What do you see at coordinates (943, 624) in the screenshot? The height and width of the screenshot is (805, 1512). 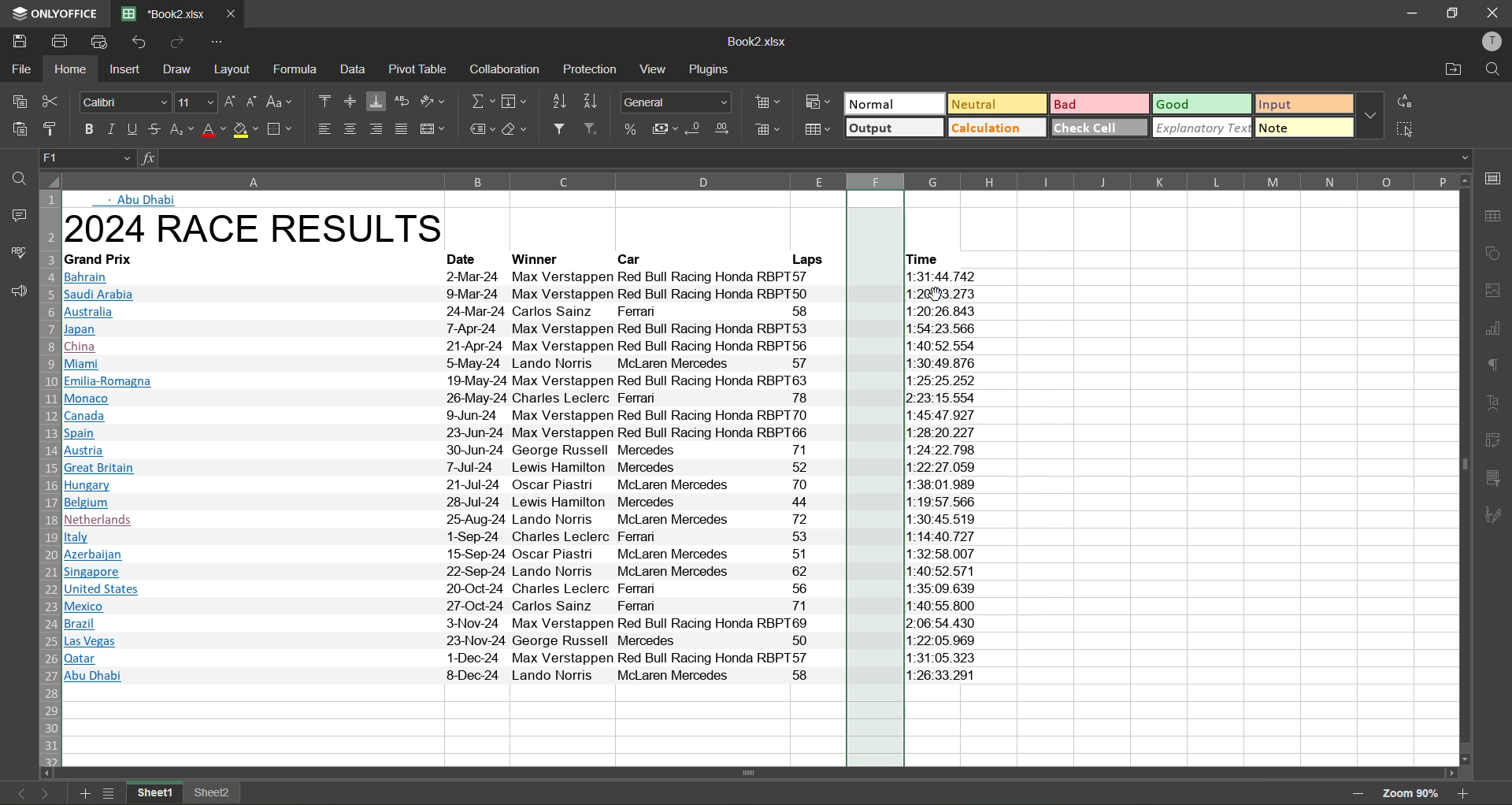 I see `12:06:54 430` at bounding box center [943, 624].